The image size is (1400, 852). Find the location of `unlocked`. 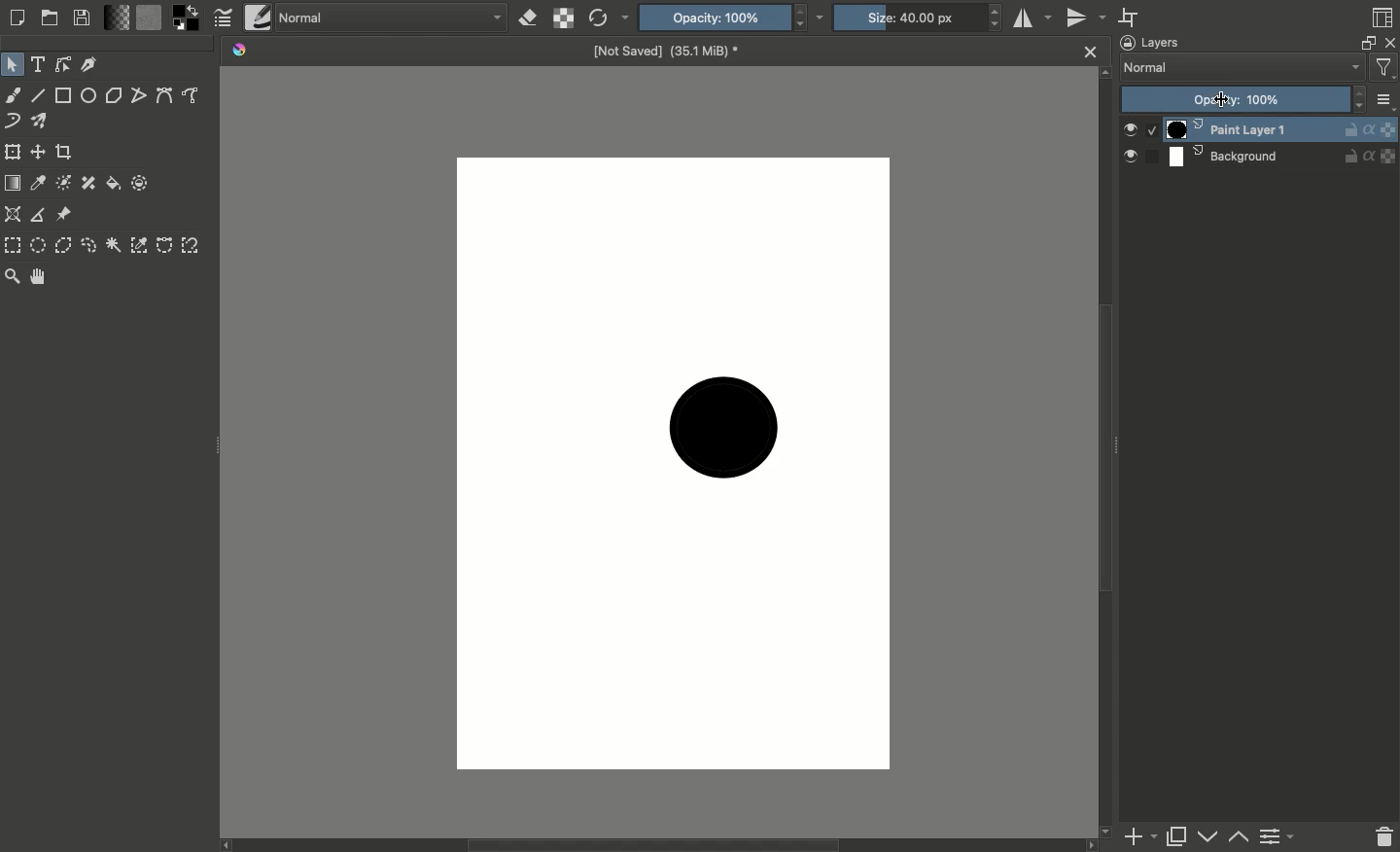

unlocked is located at coordinates (1350, 156).